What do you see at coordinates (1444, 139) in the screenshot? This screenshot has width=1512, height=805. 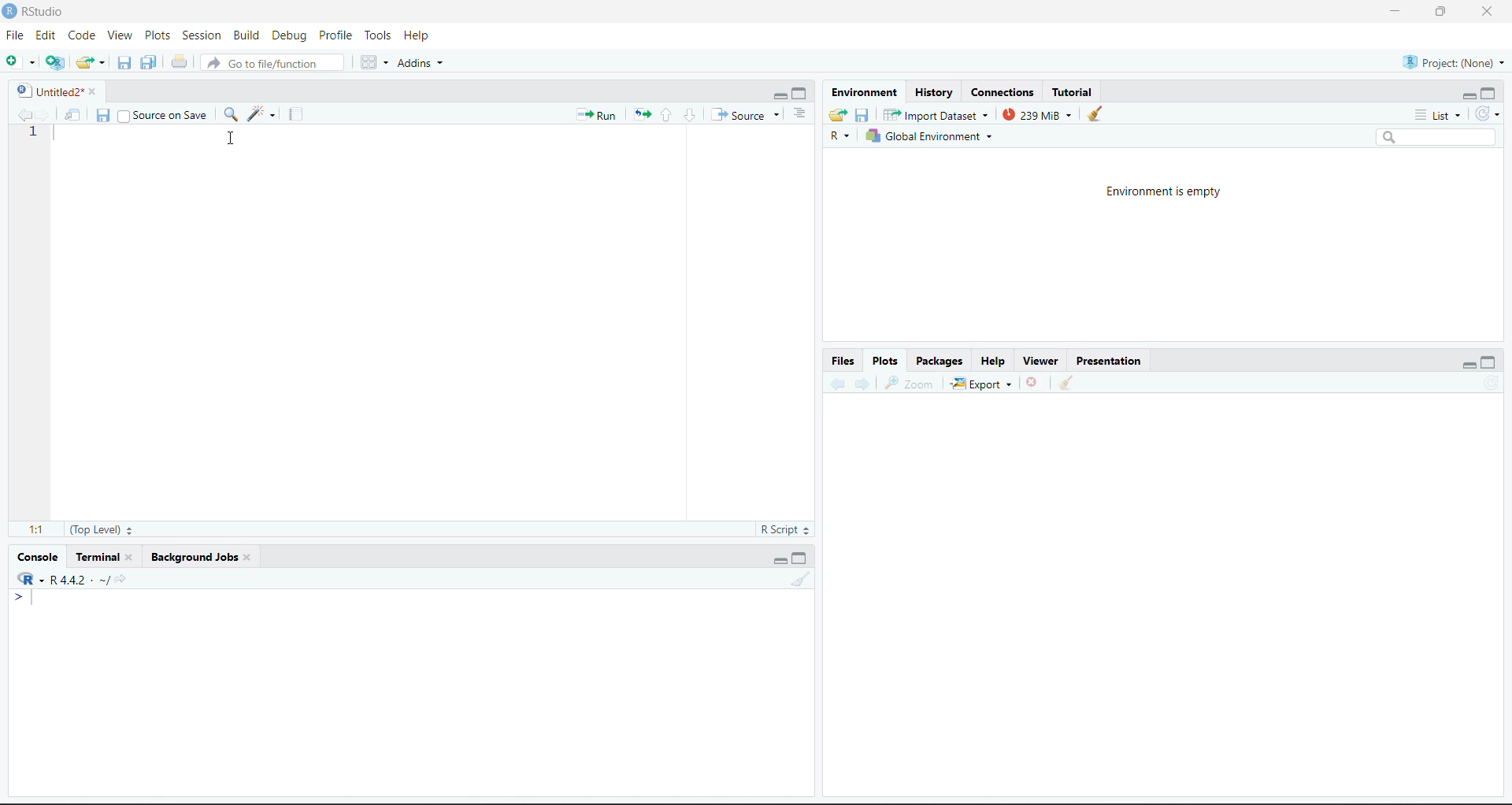 I see `Search bar` at bounding box center [1444, 139].